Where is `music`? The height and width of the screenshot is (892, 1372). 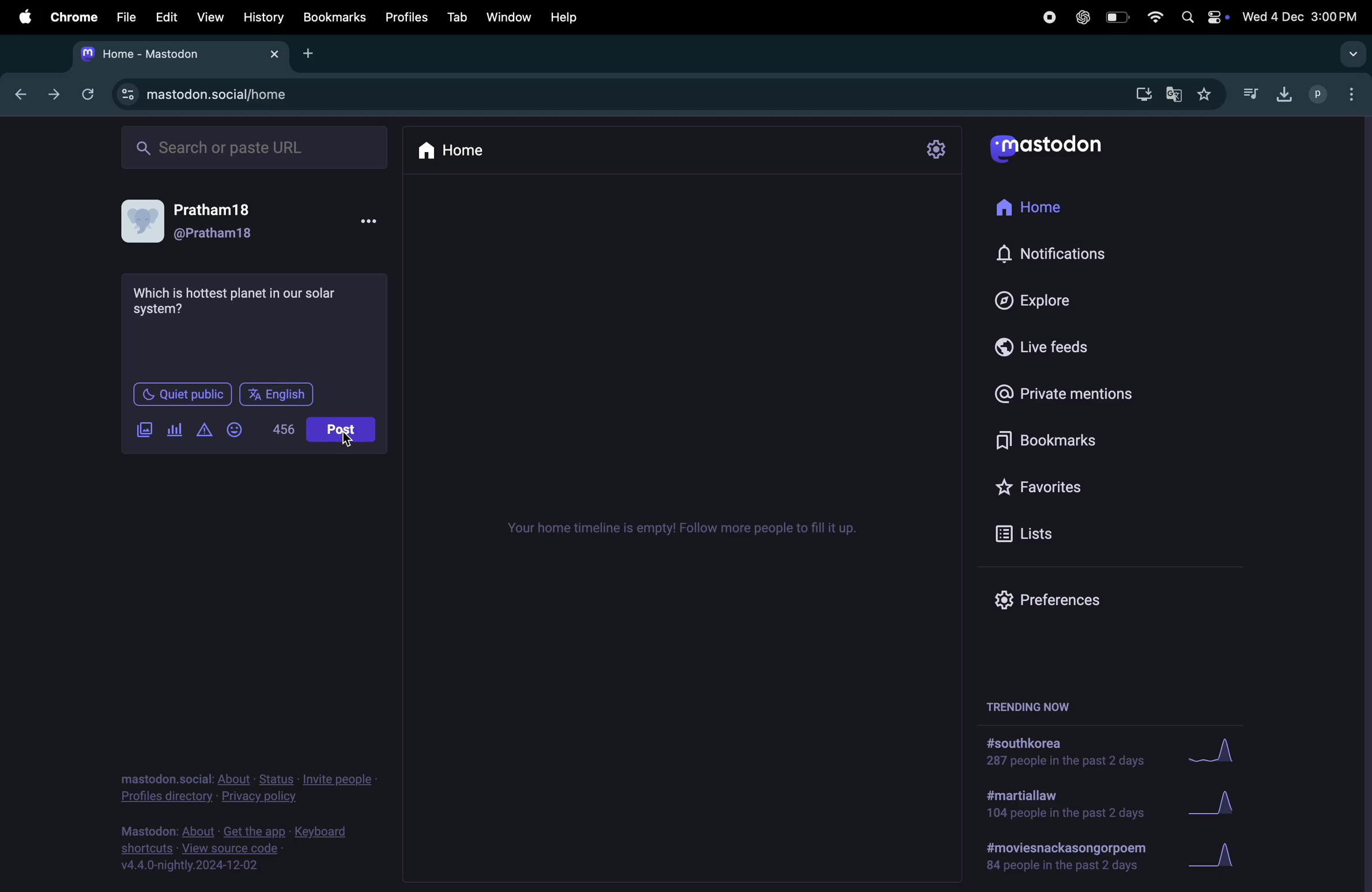 music is located at coordinates (1249, 90).